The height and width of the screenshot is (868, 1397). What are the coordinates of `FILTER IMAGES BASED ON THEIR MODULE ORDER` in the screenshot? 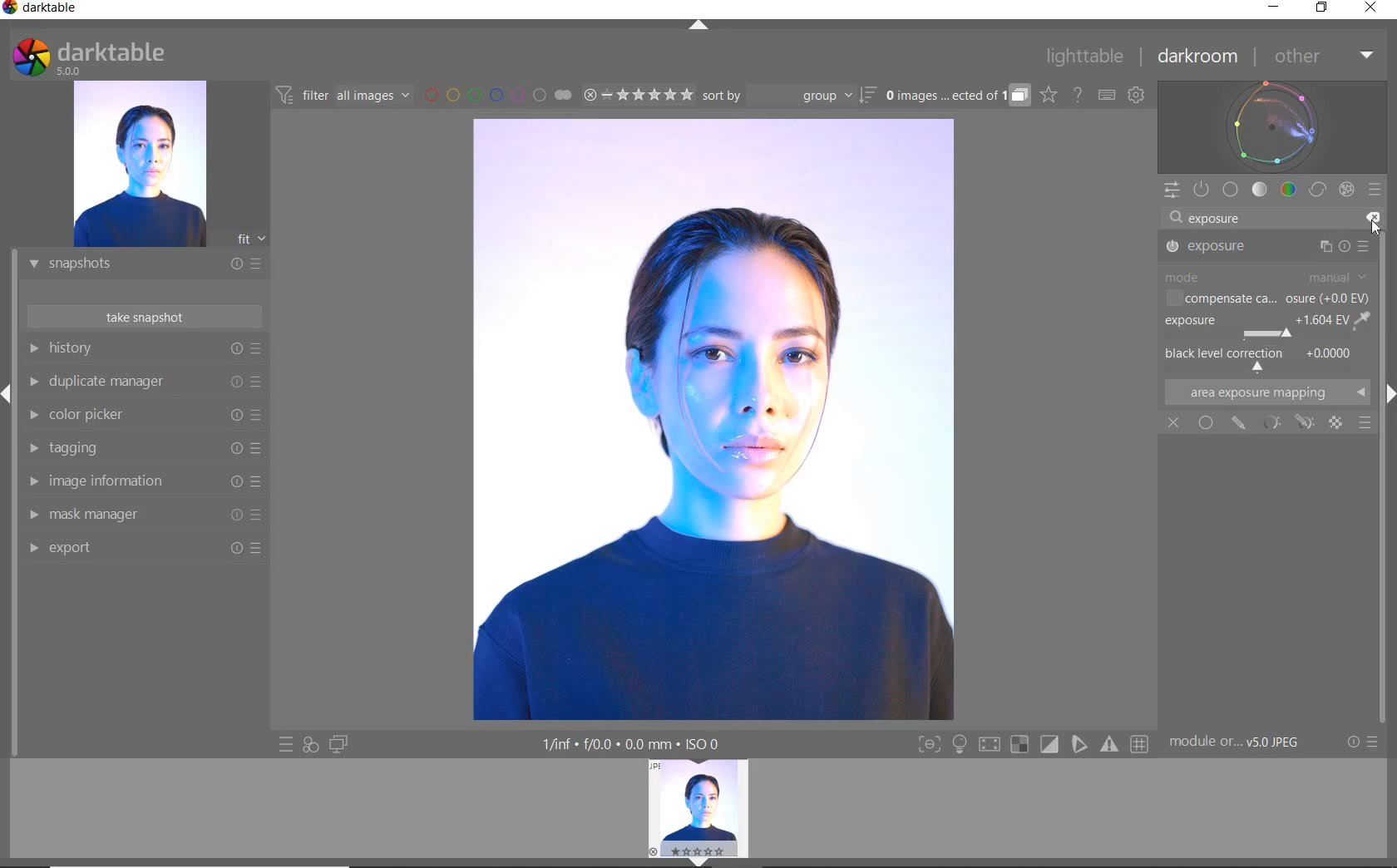 It's located at (343, 98).